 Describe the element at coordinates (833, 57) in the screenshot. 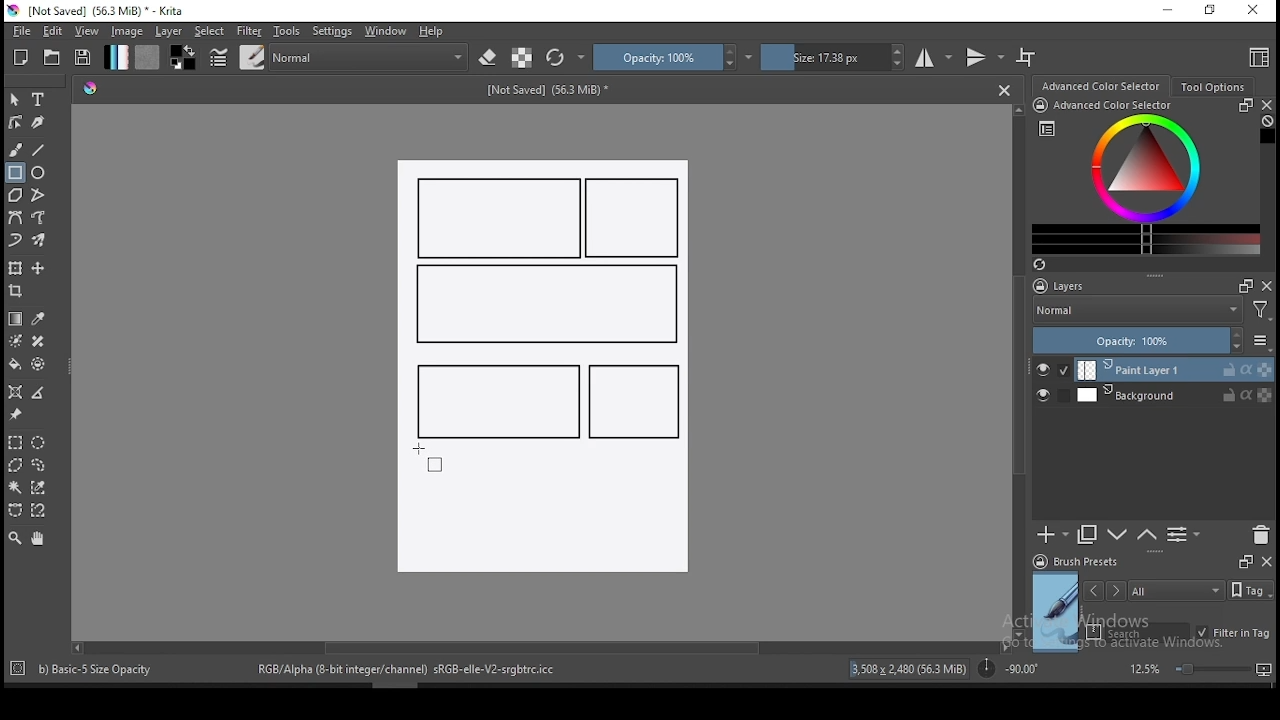

I see `size` at that location.